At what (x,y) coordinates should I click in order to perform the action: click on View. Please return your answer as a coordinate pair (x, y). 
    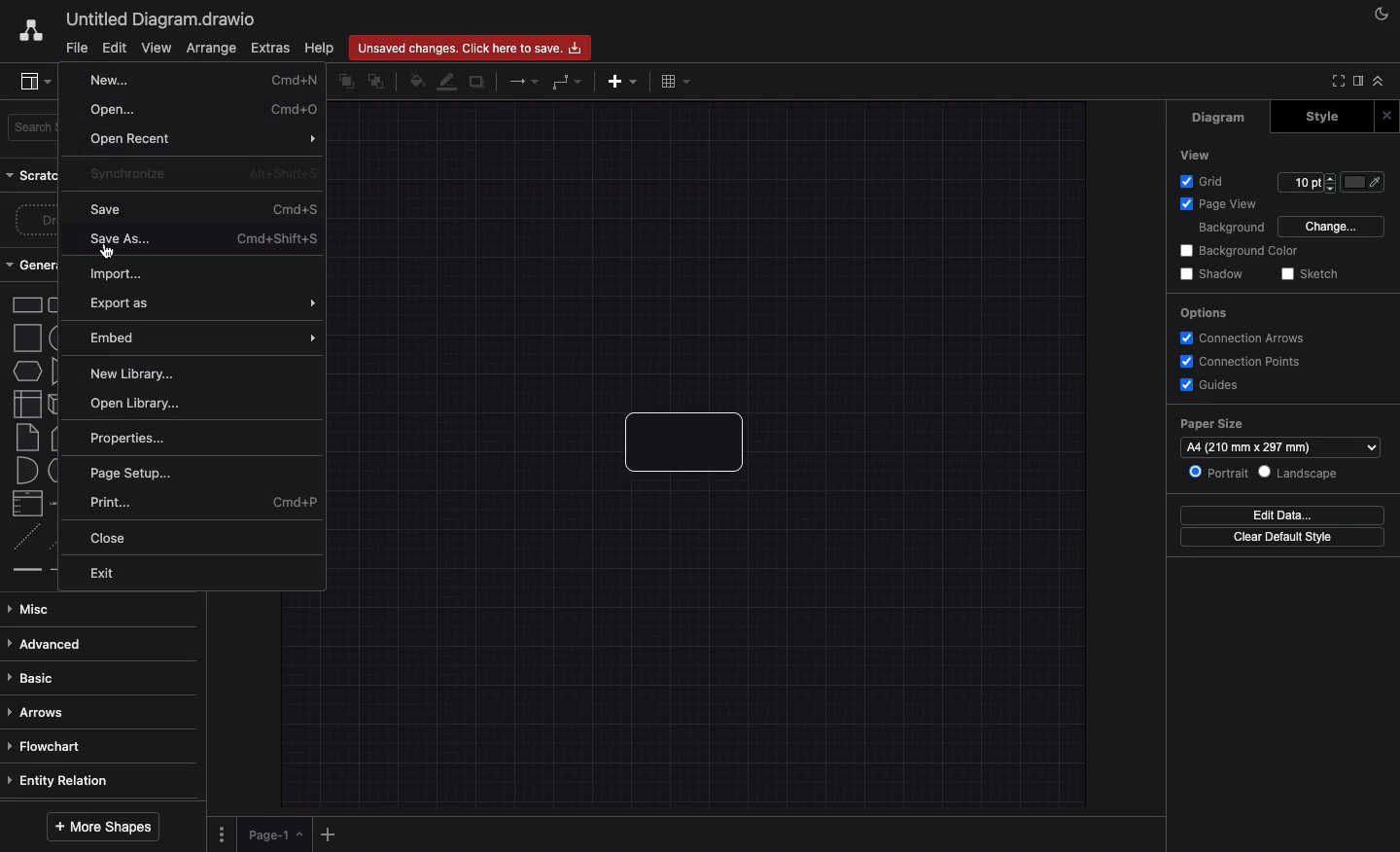
    Looking at the image, I should click on (157, 49).